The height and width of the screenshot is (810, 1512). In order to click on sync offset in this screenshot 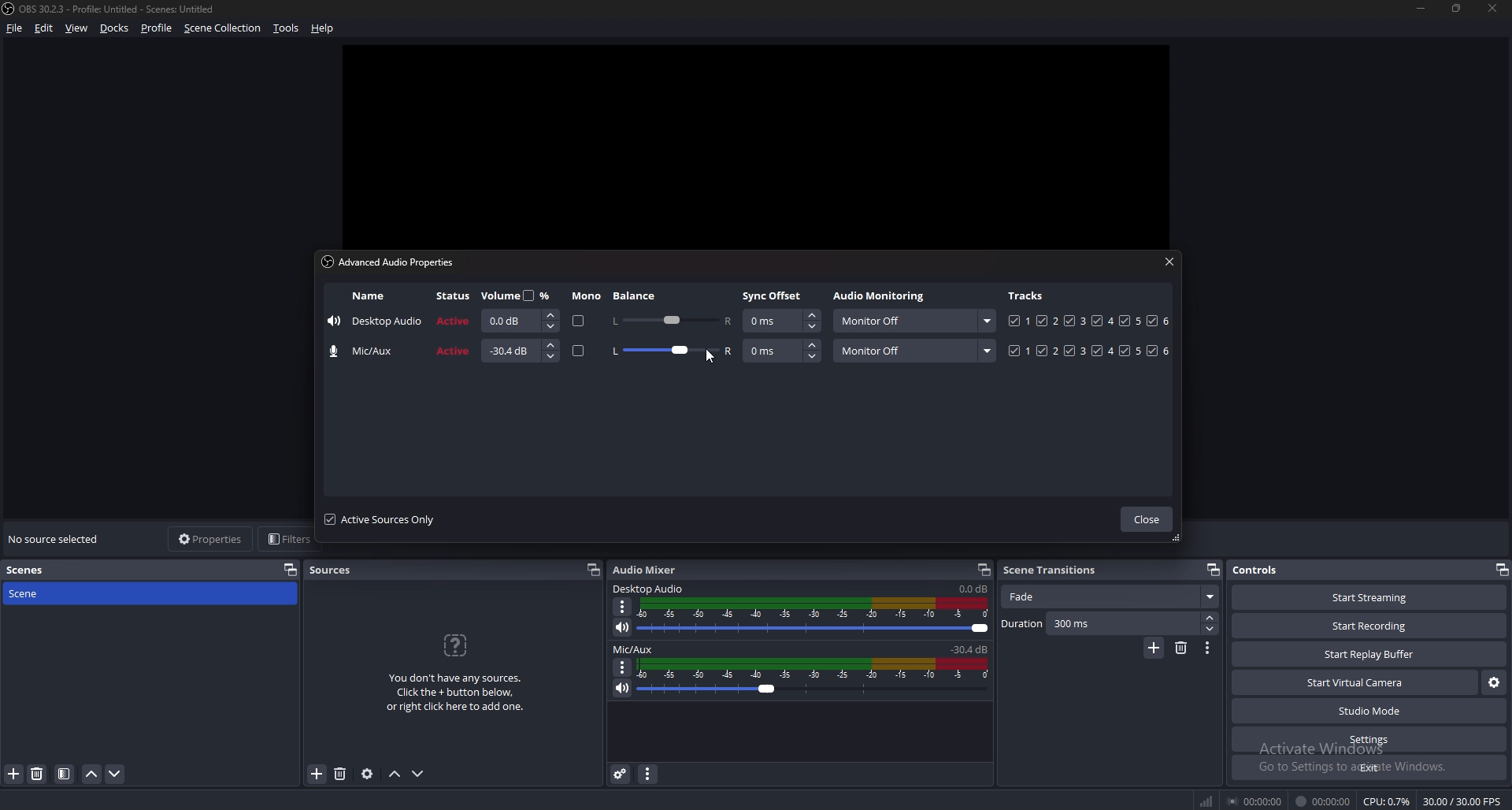, I will do `click(783, 321)`.